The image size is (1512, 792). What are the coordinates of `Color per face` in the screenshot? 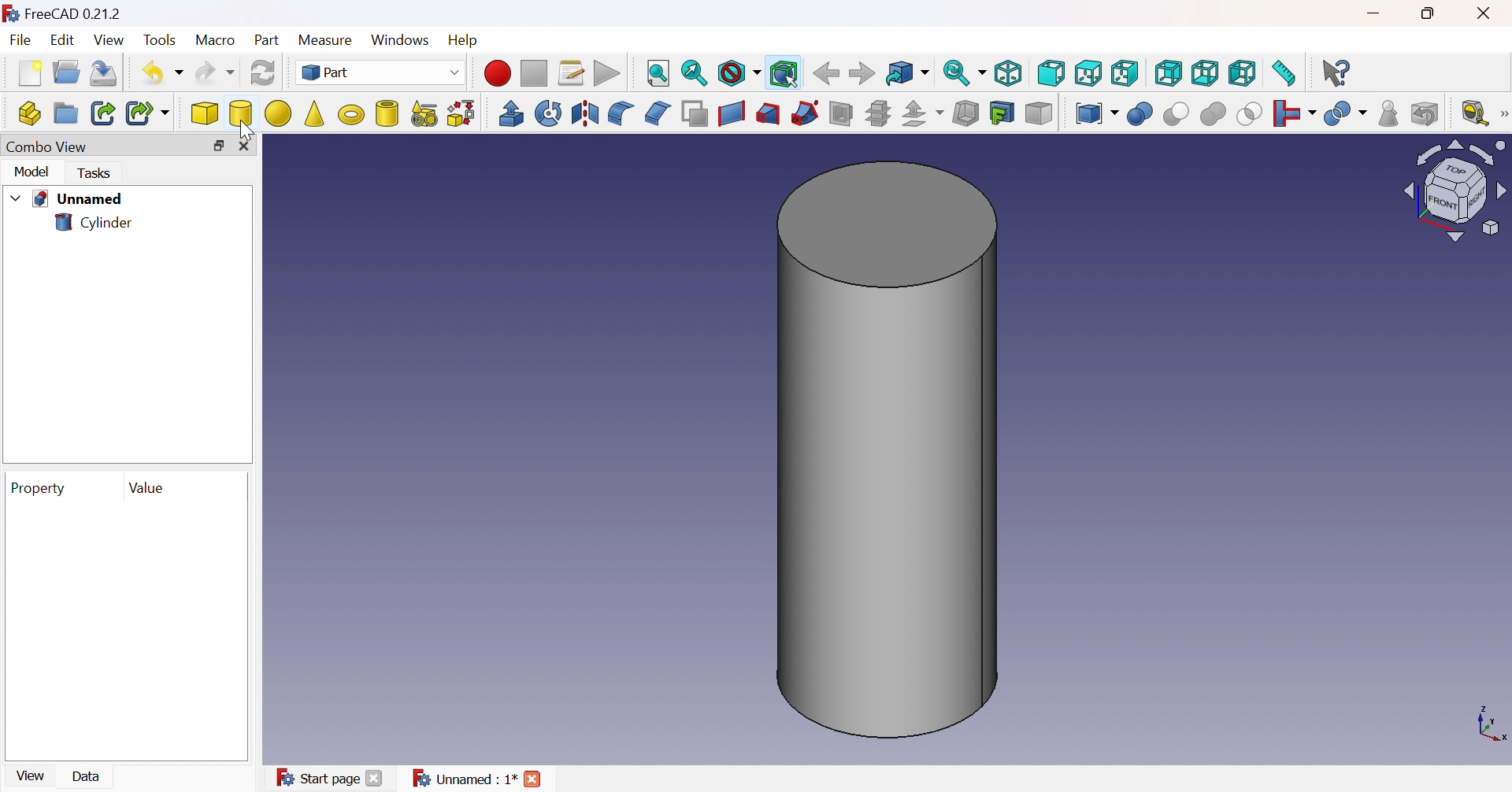 It's located at (1039, 113).